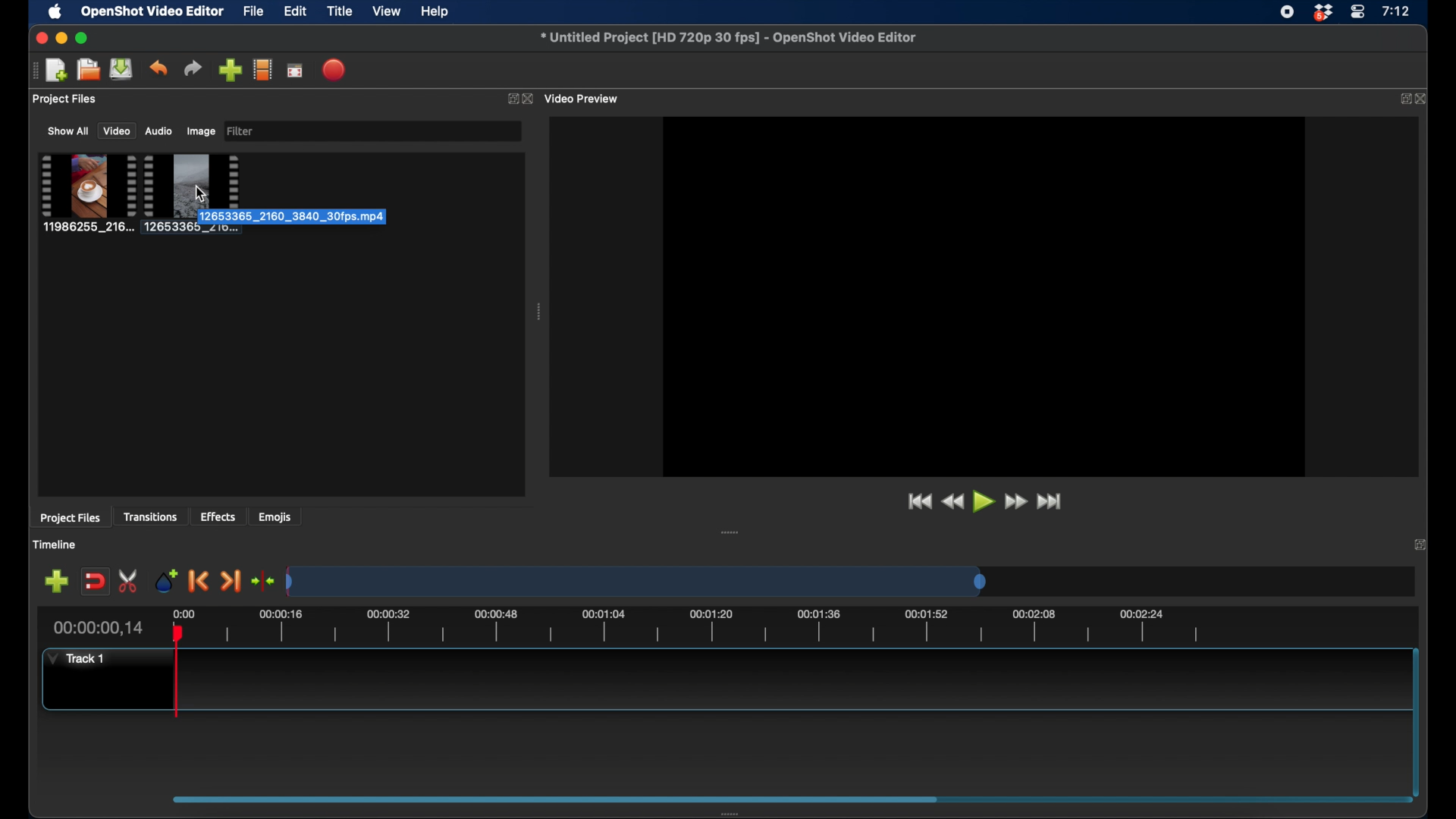 Image resolution: width=1456 pixels, height=819 pixels. What do you see at coordinates (56, 71) in the screenshot?
I see `new project` at bounding box center [56, 71].